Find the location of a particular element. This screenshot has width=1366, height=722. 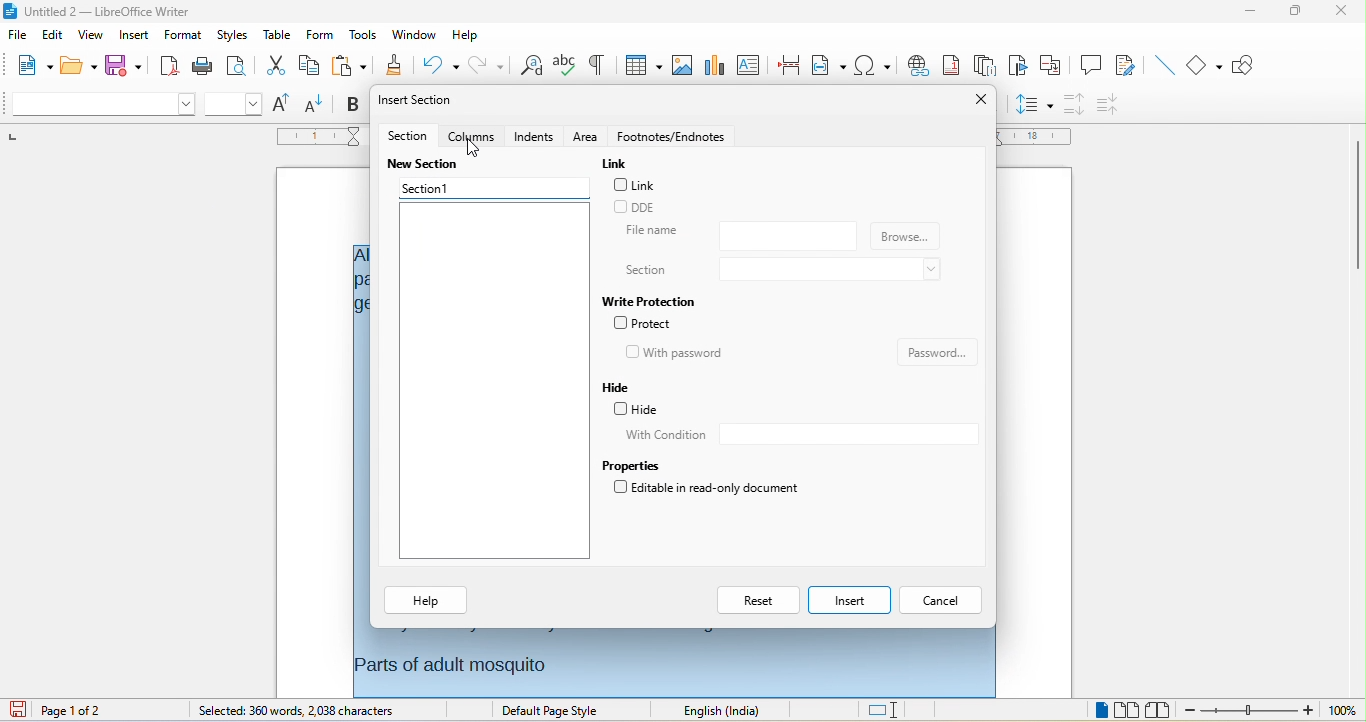

level 1 is located at coordinates (1023, 712).